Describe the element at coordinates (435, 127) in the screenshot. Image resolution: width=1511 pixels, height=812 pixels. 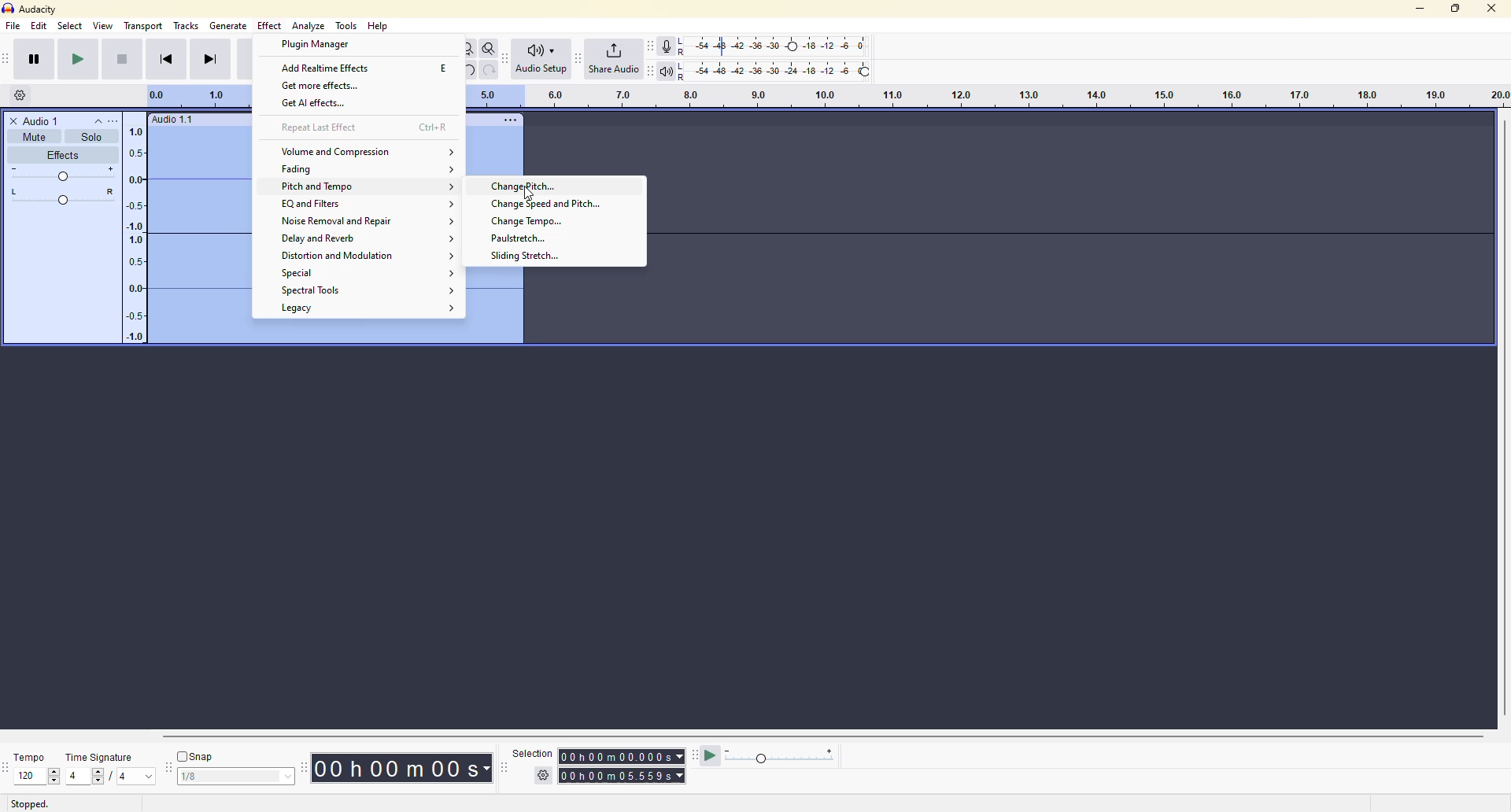
I see `ctrl+r` at that location.